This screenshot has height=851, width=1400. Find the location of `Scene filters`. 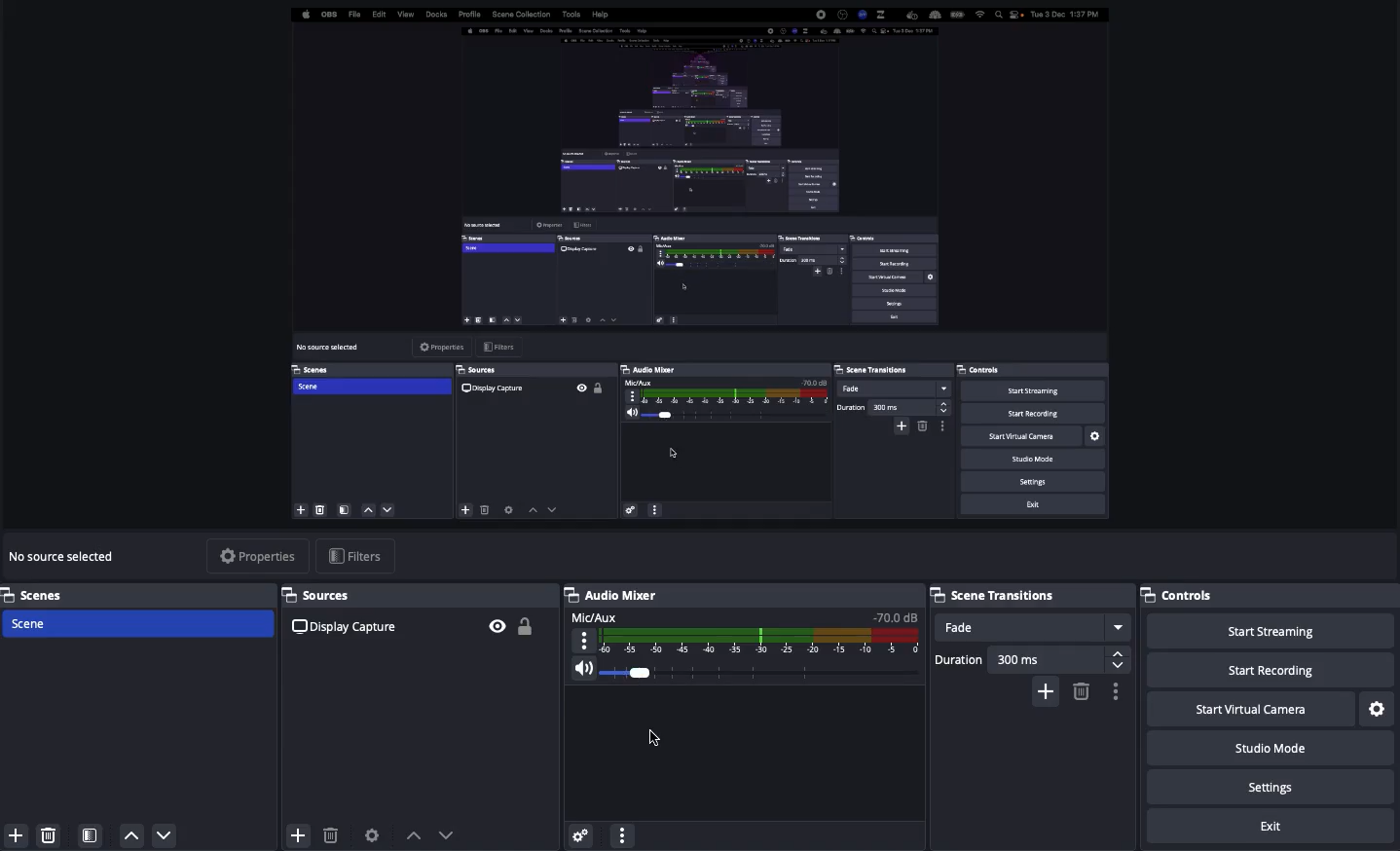

Scene filters is located at coordinates (91, 832).